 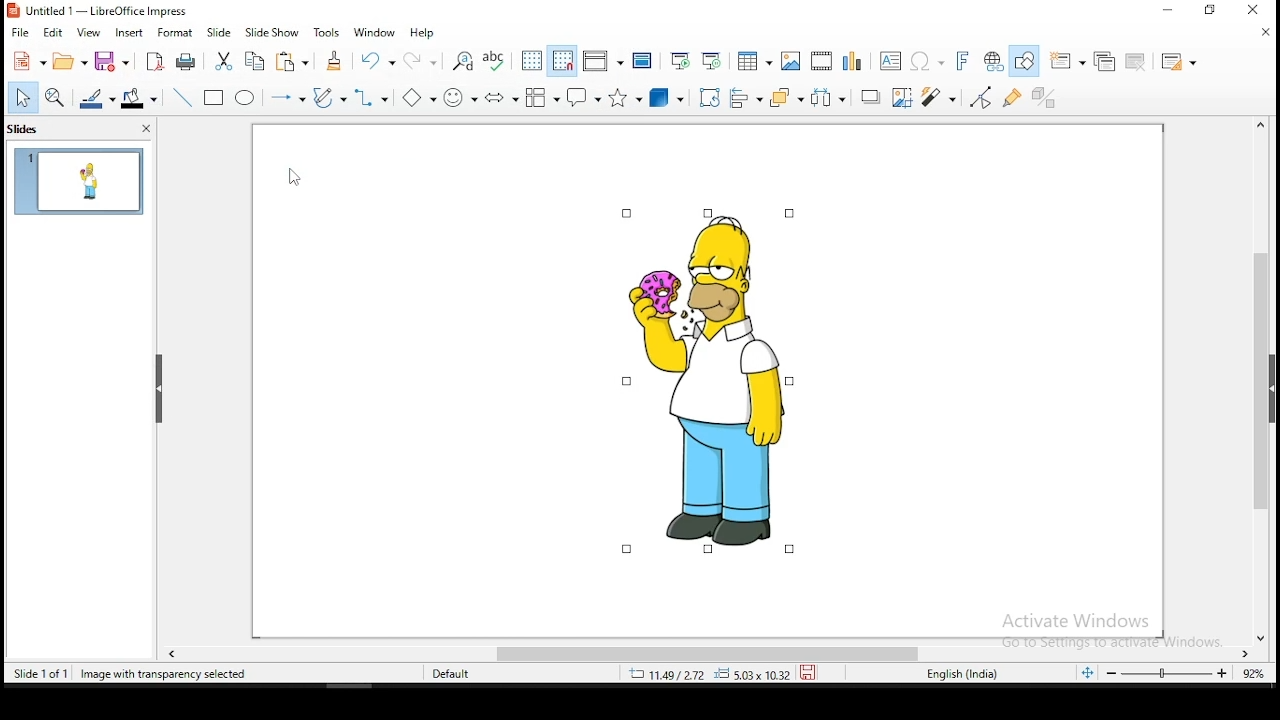 I want to click on scroll down, so click(x=1268, y=642).